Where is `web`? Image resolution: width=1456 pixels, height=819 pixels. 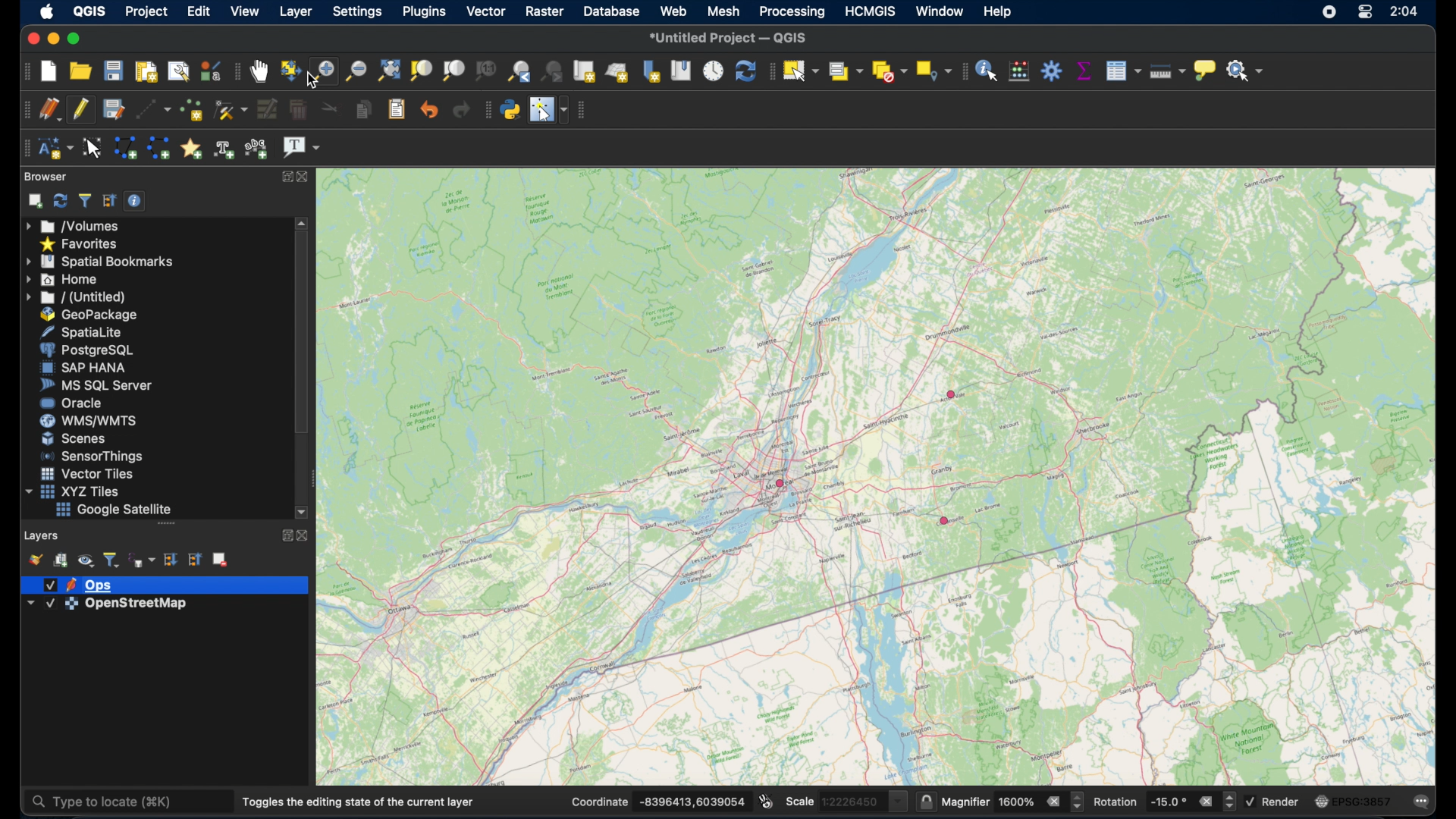 web is located at coordinates (674, 12).